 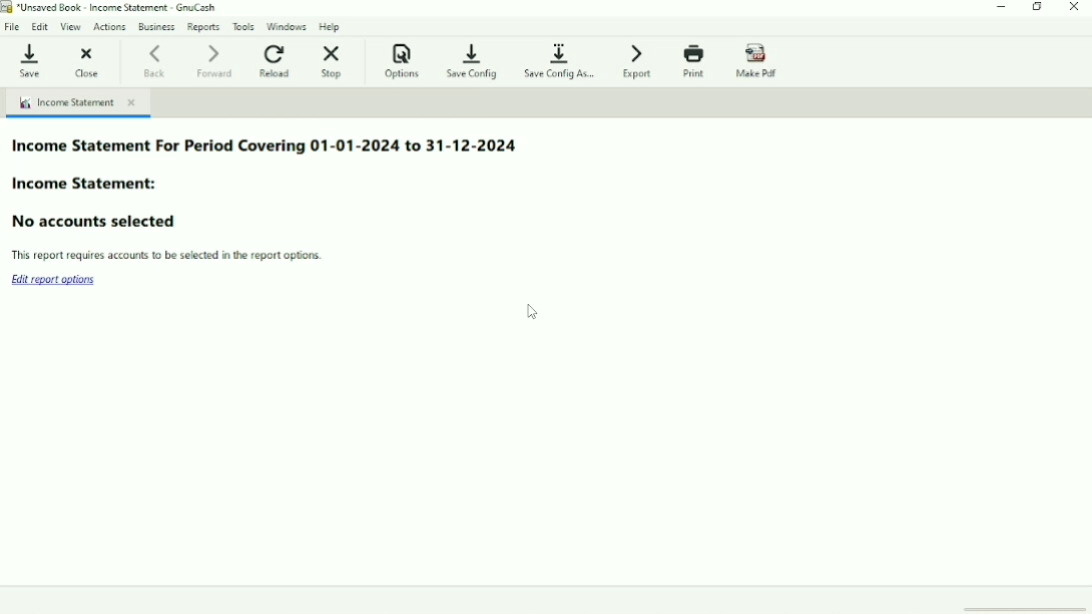 I want to click on Options, so click(x=402, y=62).